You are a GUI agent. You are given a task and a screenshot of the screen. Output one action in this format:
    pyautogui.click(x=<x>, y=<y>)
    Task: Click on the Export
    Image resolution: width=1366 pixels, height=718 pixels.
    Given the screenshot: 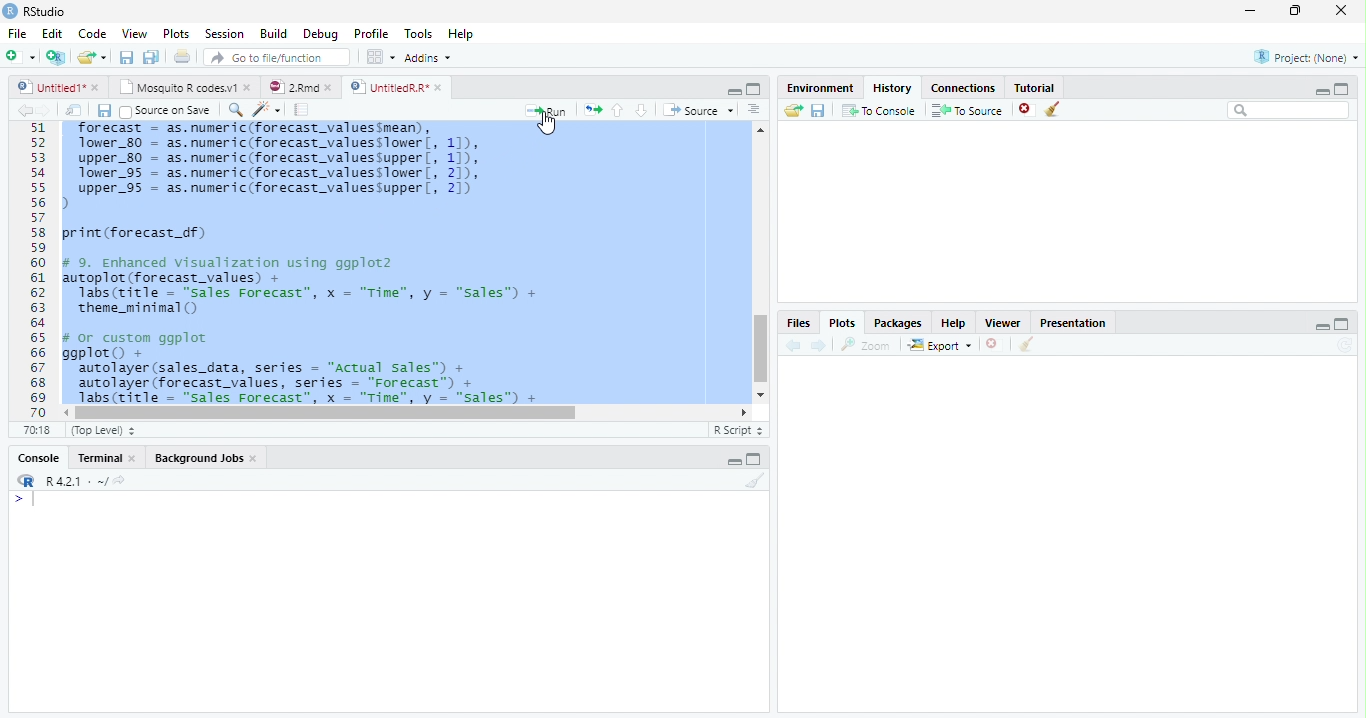 What is the action you would take?
    pyautogui.click(x=940, y=345)
    